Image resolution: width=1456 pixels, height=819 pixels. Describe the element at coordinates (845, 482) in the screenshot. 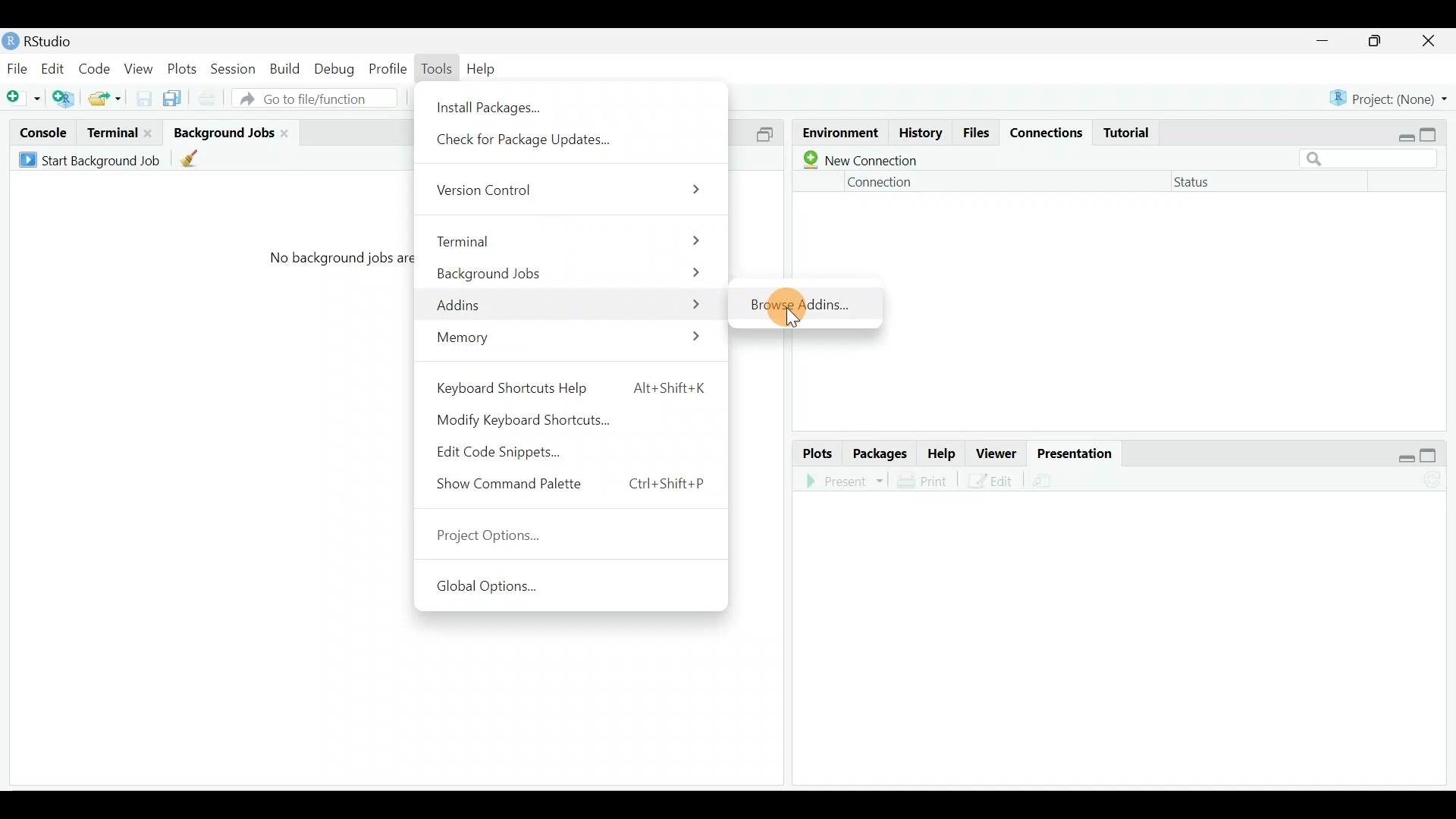

I see `Present in an external web browser` at that location.